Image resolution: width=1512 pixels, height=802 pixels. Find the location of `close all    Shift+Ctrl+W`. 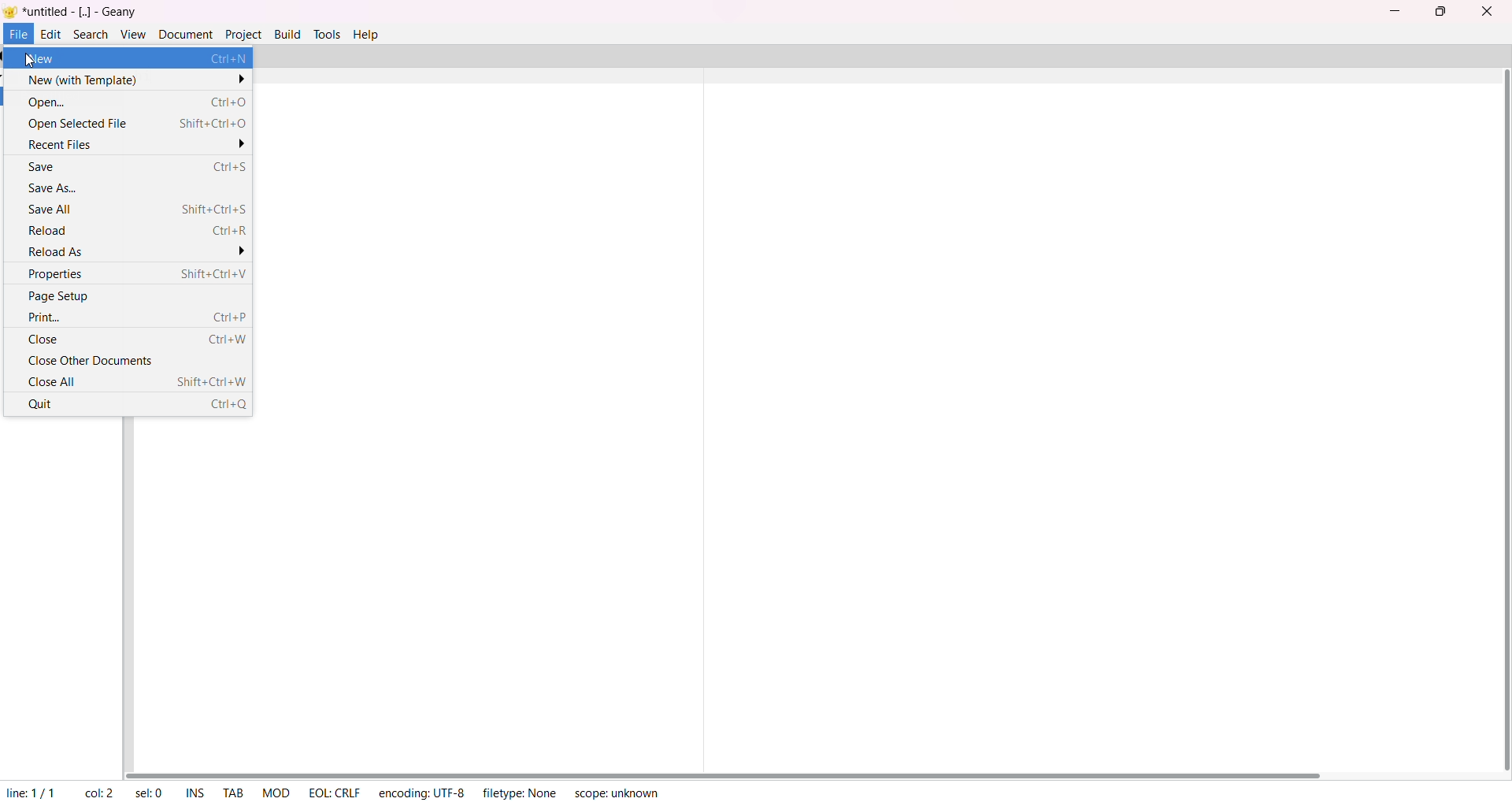

close all    Shift+Ctrl+W is located at coordinates (133, 383).